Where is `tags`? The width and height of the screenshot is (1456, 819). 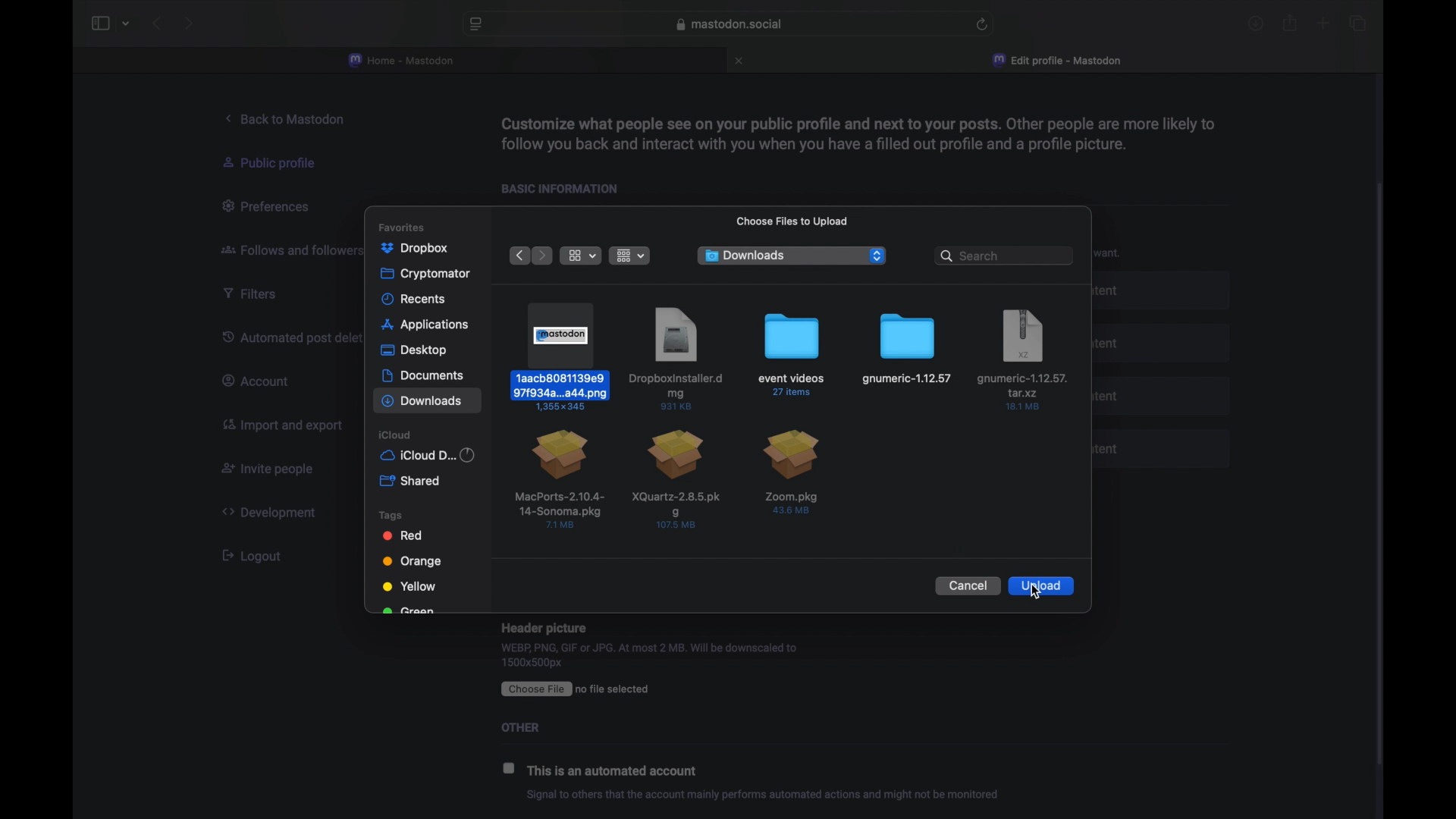 tags is located at coordinates (391, 514).